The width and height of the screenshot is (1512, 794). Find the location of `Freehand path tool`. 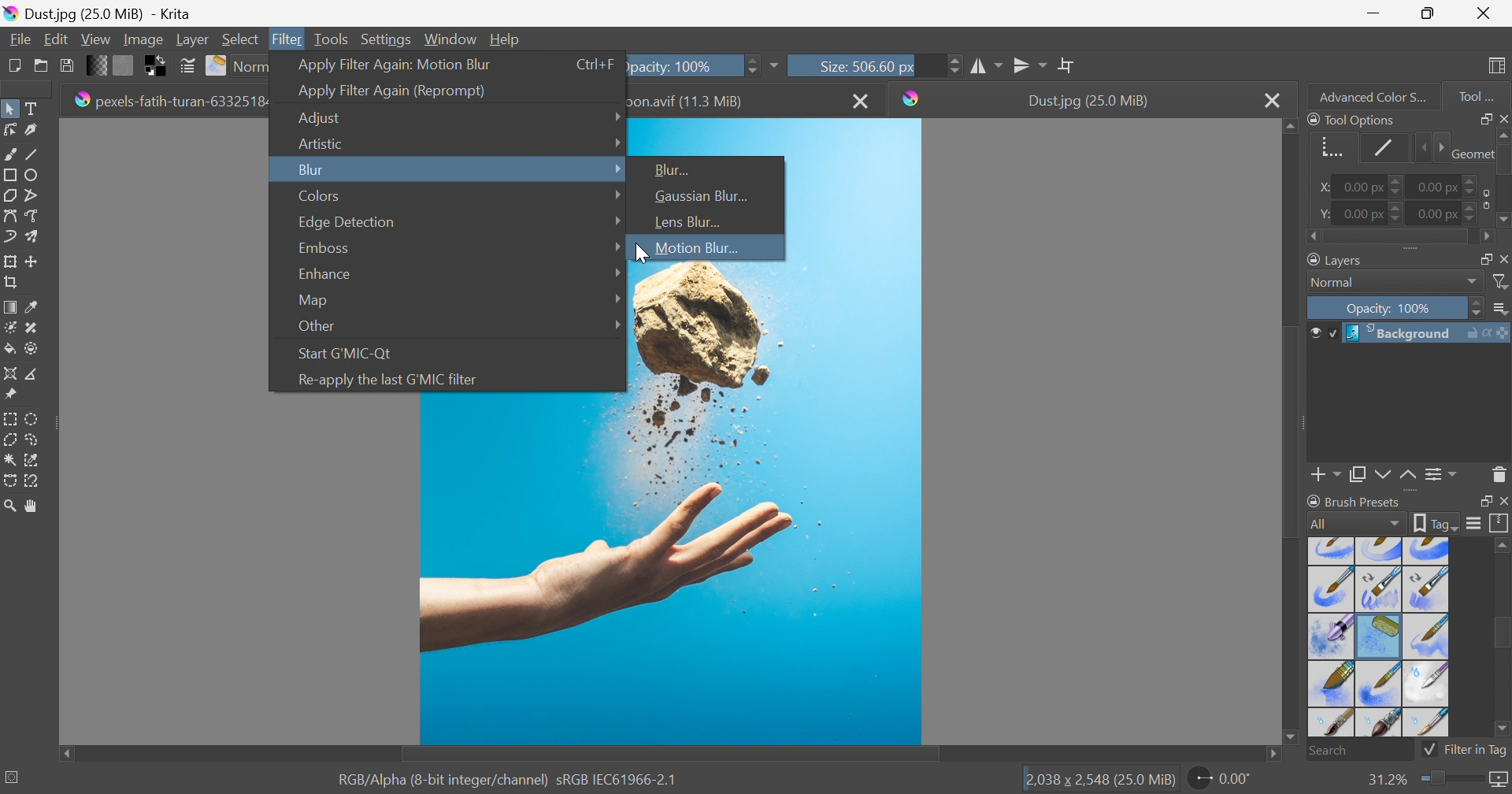

Freehand path tool is located at coordinates (33, 216).